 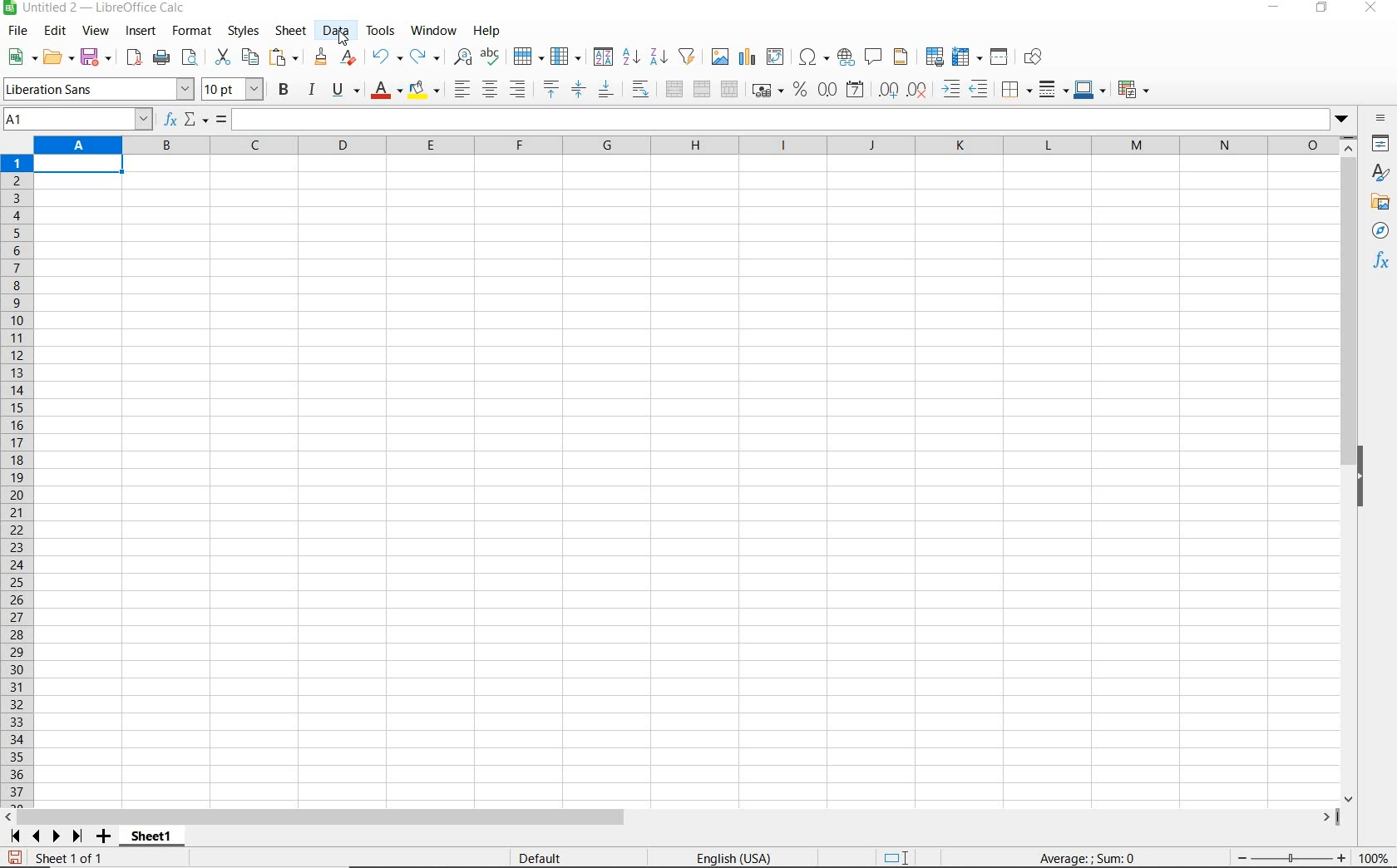 I want to click on clone formatting, so click(x=322, y=57).